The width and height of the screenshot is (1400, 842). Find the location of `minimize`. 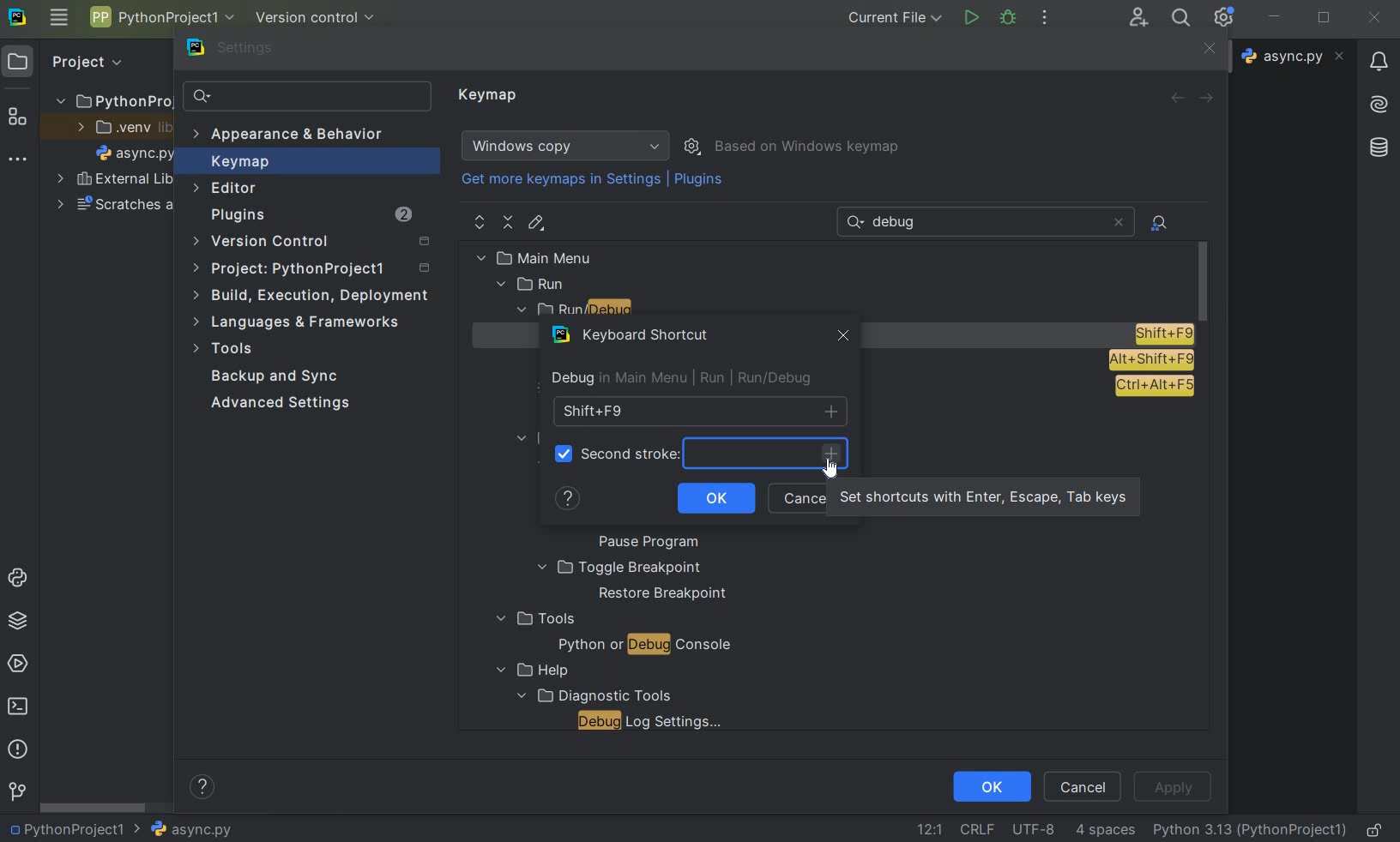

minimize is located at coordinates (1275, 16).